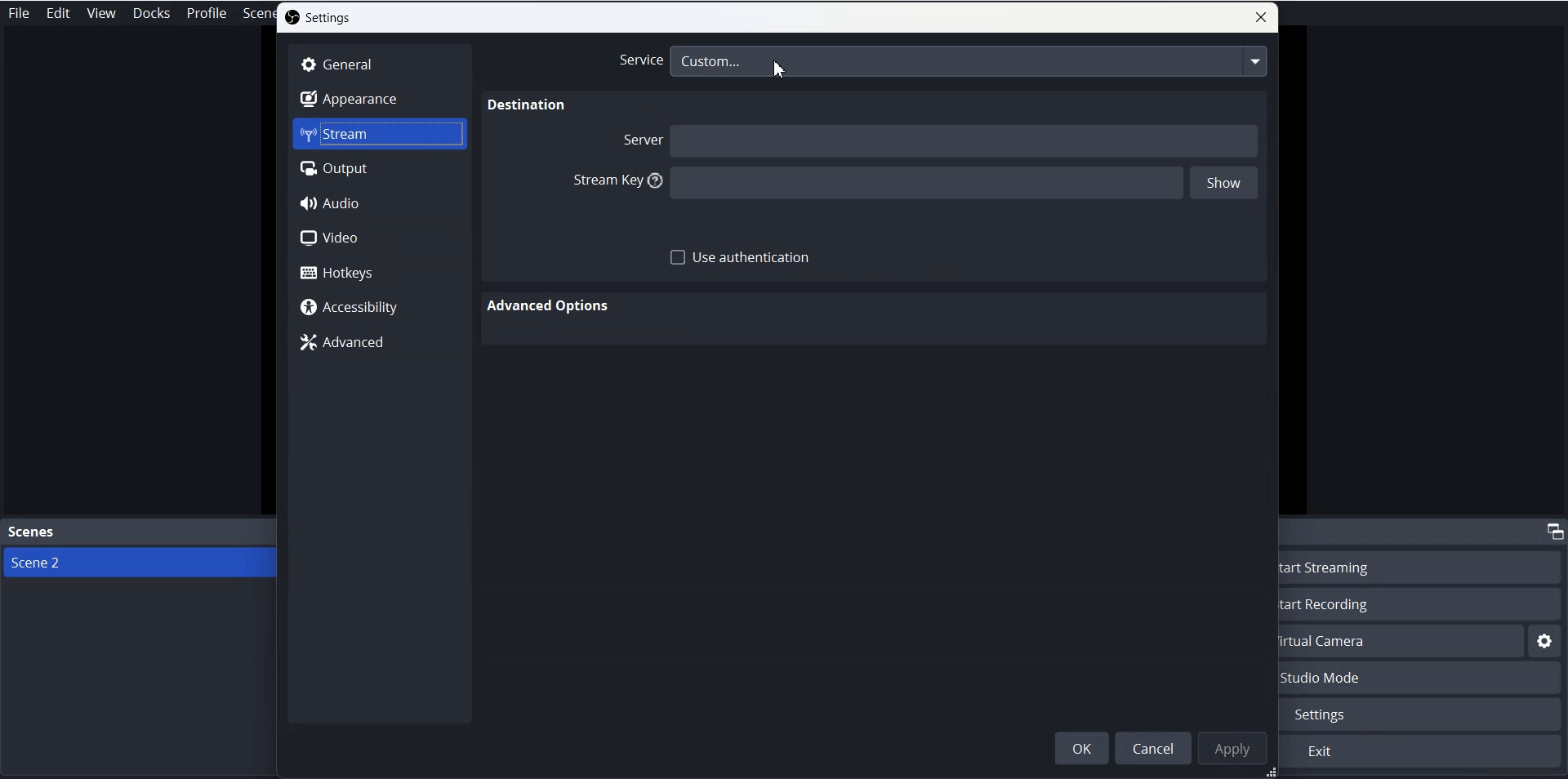 This screenshot has width=1568, height=779. What do you see at coordinates (1151, 747) in the screenshot?
I see `Cancel` at bounding box center [1151, 747].